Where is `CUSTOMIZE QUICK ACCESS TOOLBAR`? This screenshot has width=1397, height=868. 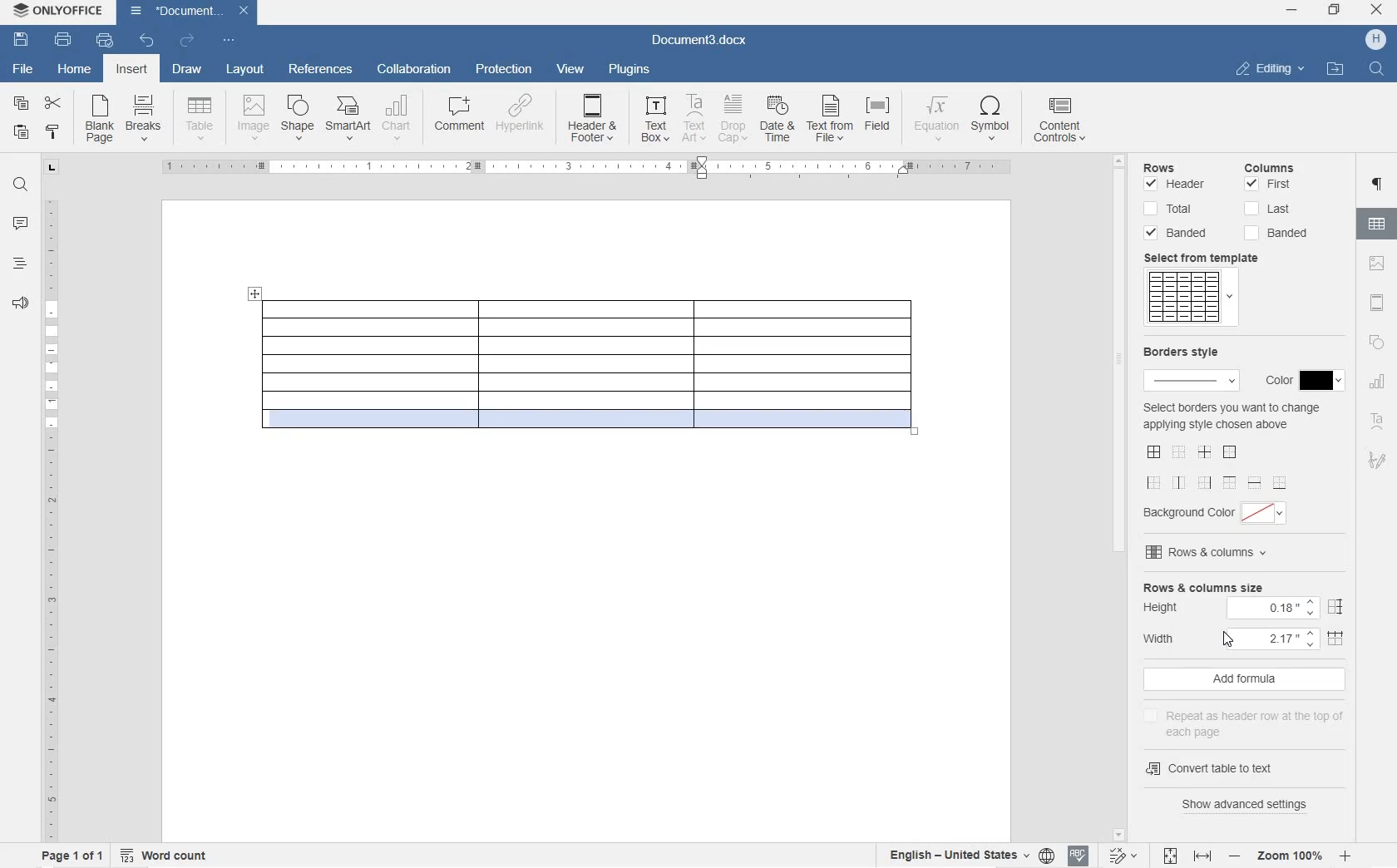 CUSTOMIZE QUICK ACCESS TOOLBAR is located at coordinates (229, 42).